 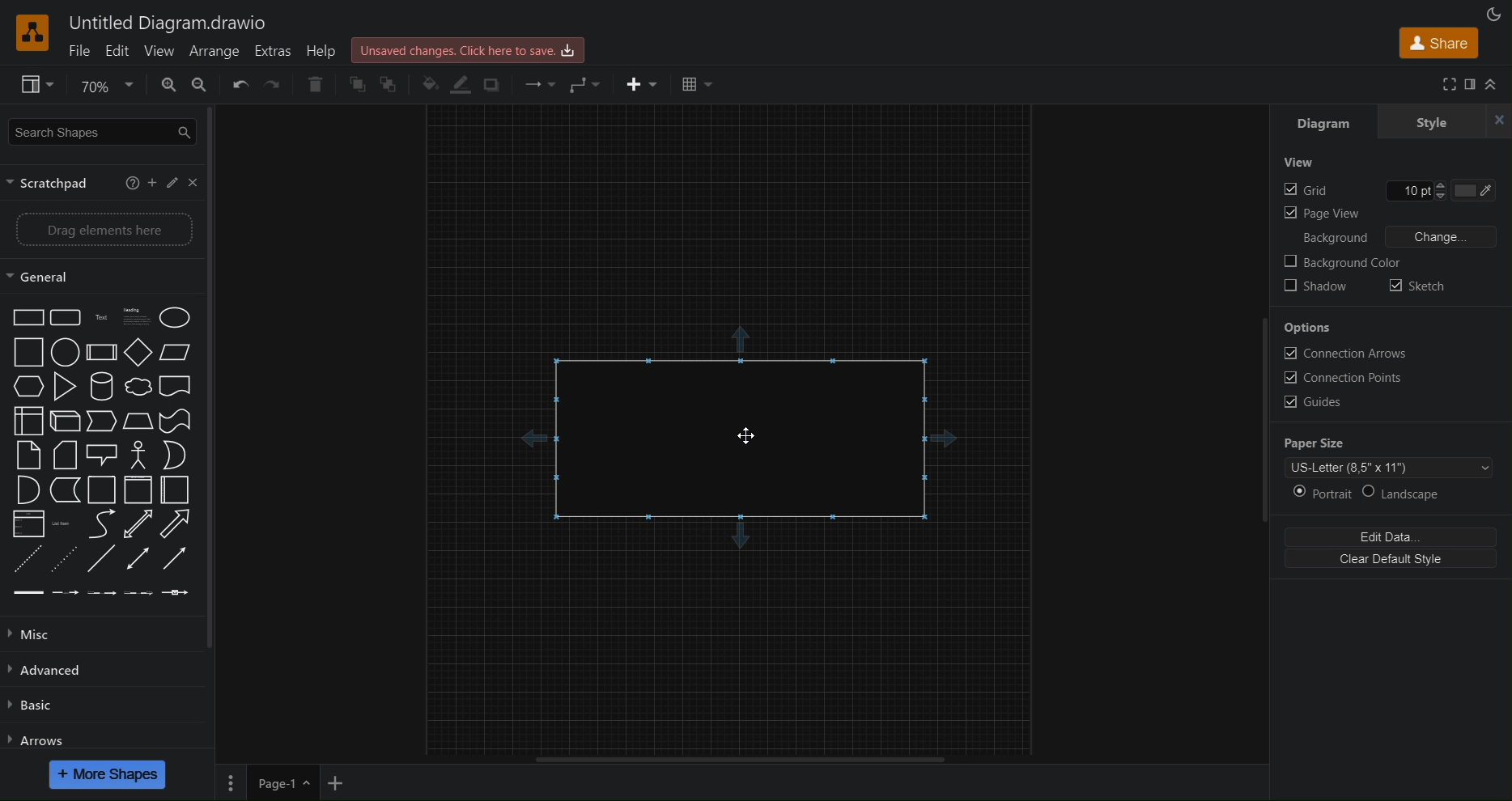 What do you see at coordinates (491, 84) in the screenshot?
I see `Shadow` at bounding box center [491, 84].